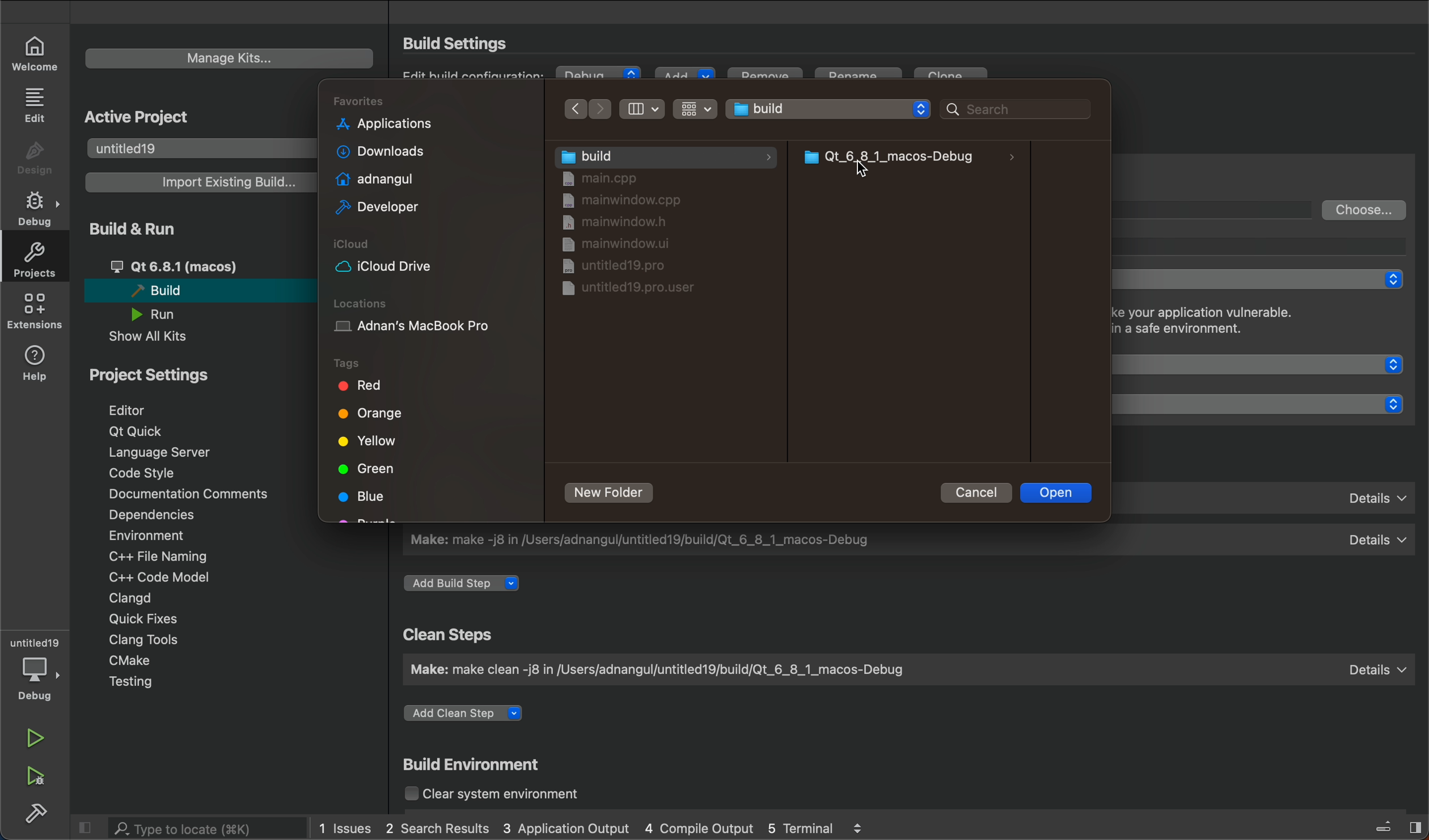 This screenshot has height=840, width=1429. I want to click on editor, so click(144, 409).